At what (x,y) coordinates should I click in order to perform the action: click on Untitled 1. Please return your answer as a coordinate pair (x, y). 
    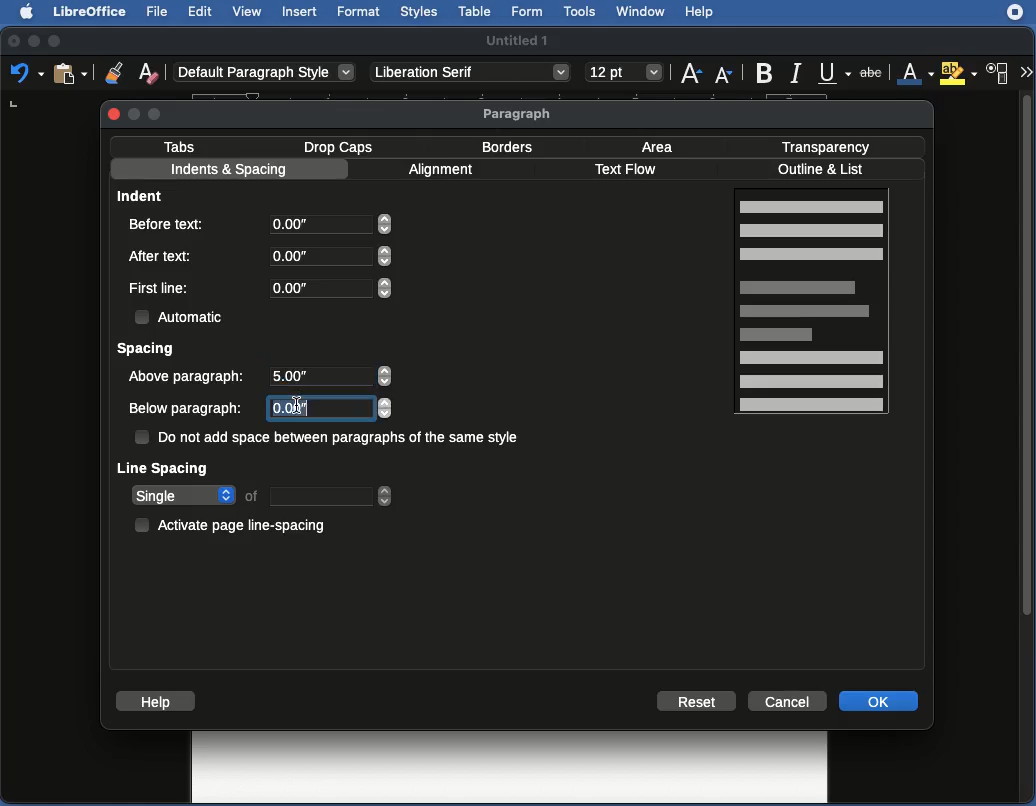
    Looking at the image, I should click on (519, 39).